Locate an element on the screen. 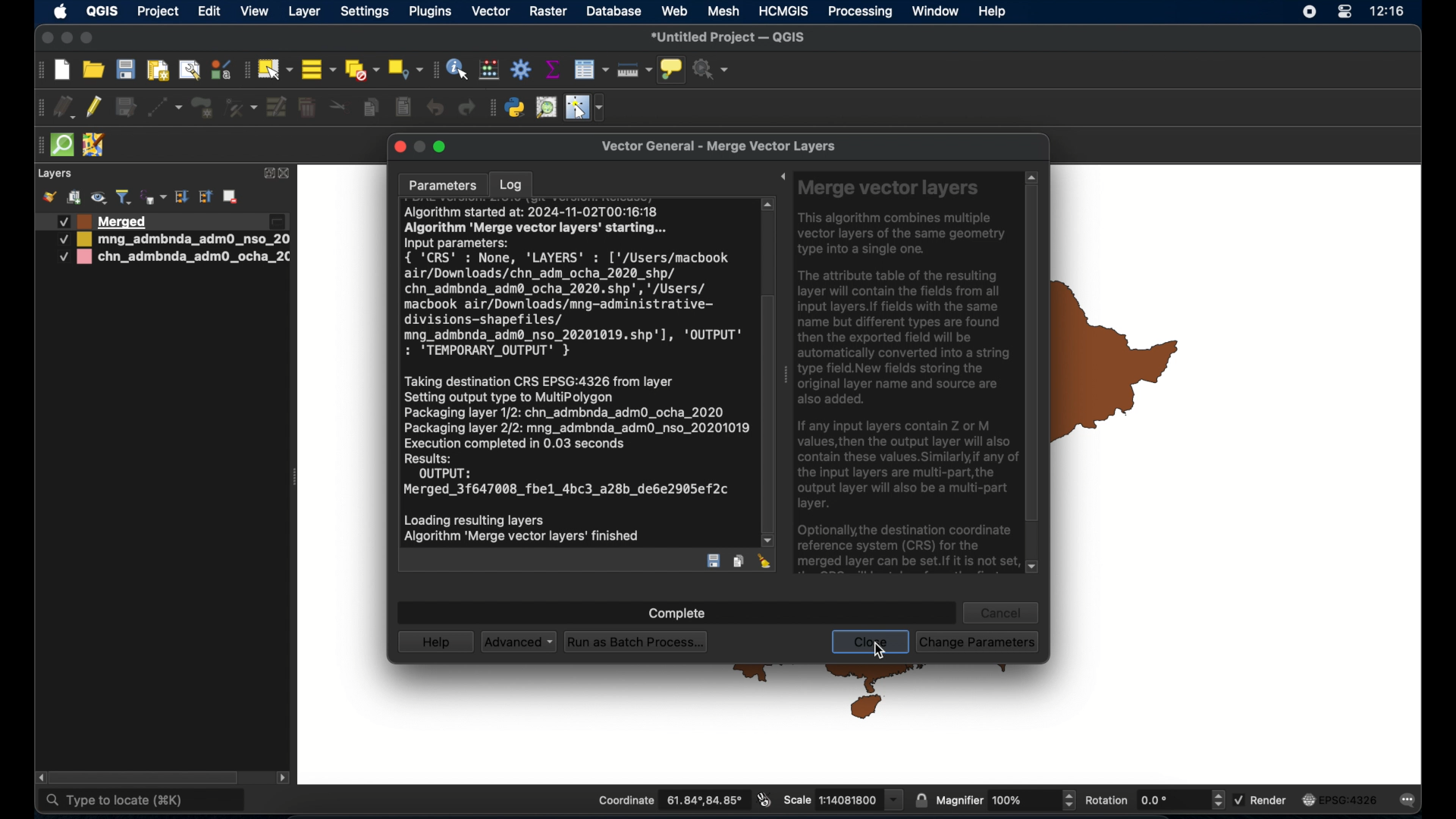 Image resolution: width=1456 pixels, height=819 pixels. scroll up is located at coordinates (1031, 175).